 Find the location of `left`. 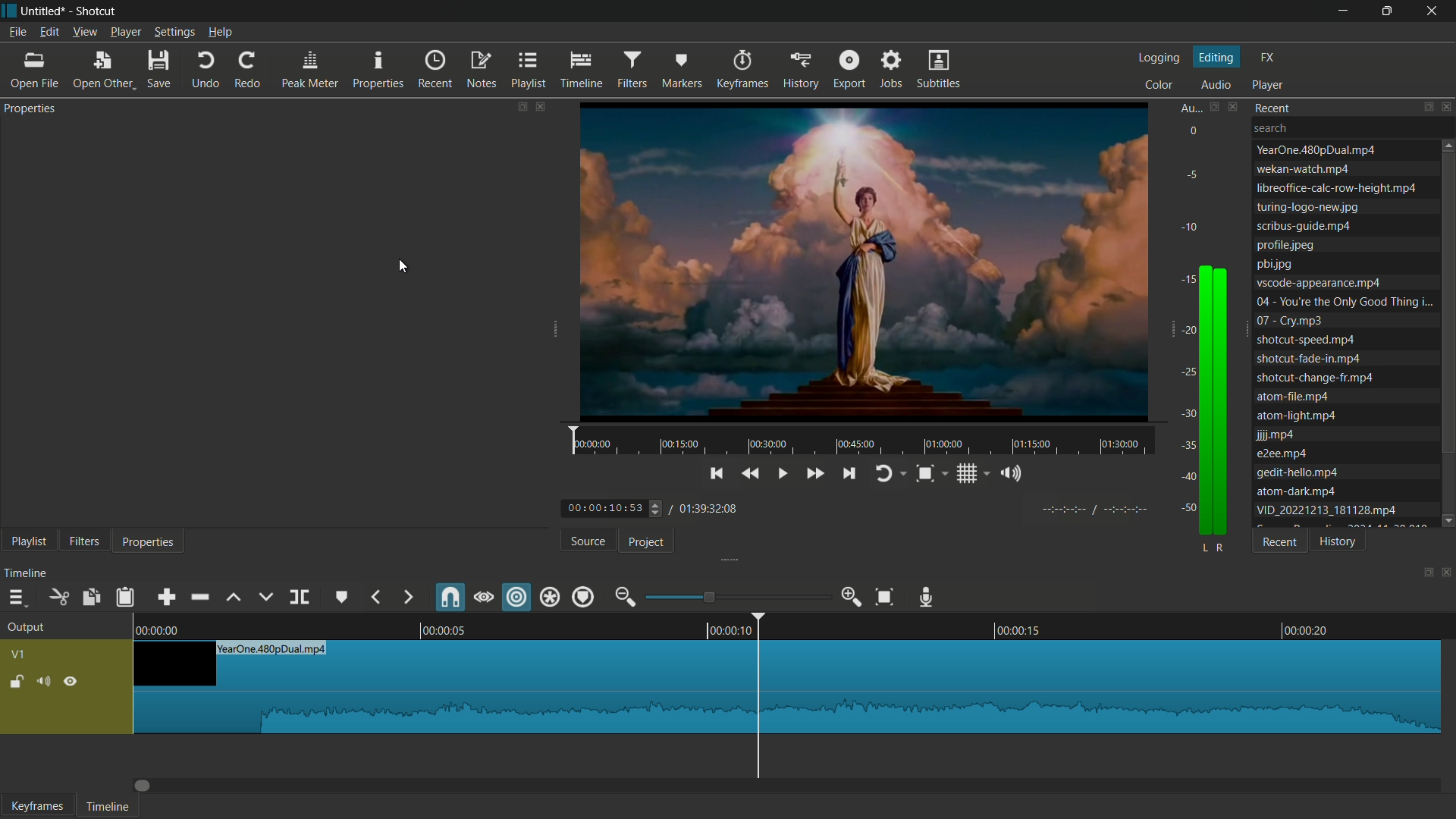

left is located at coordinates (1203, 400).